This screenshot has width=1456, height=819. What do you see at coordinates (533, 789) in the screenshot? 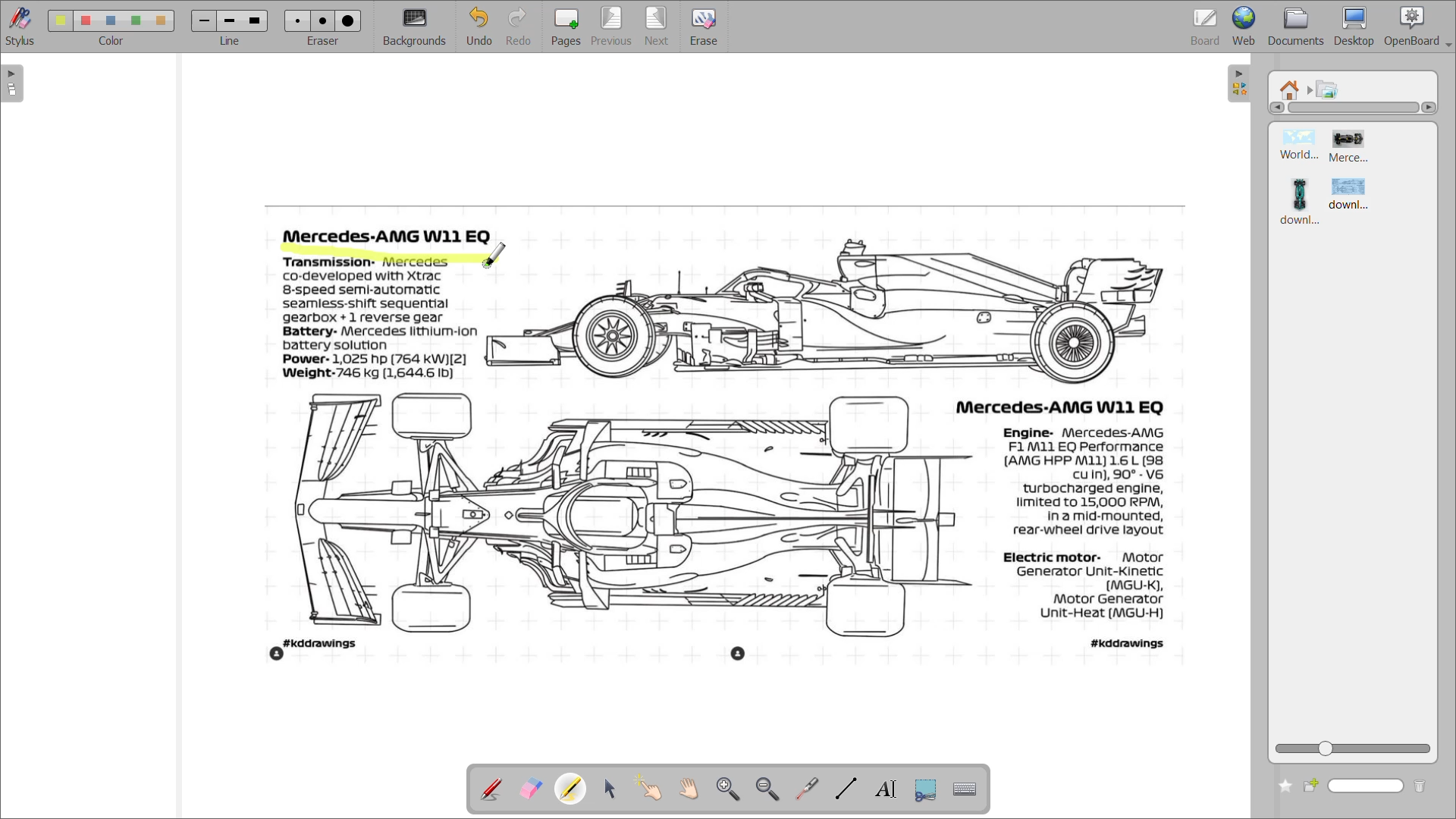
I see `erase annotation` at bounding box center [533, 789].